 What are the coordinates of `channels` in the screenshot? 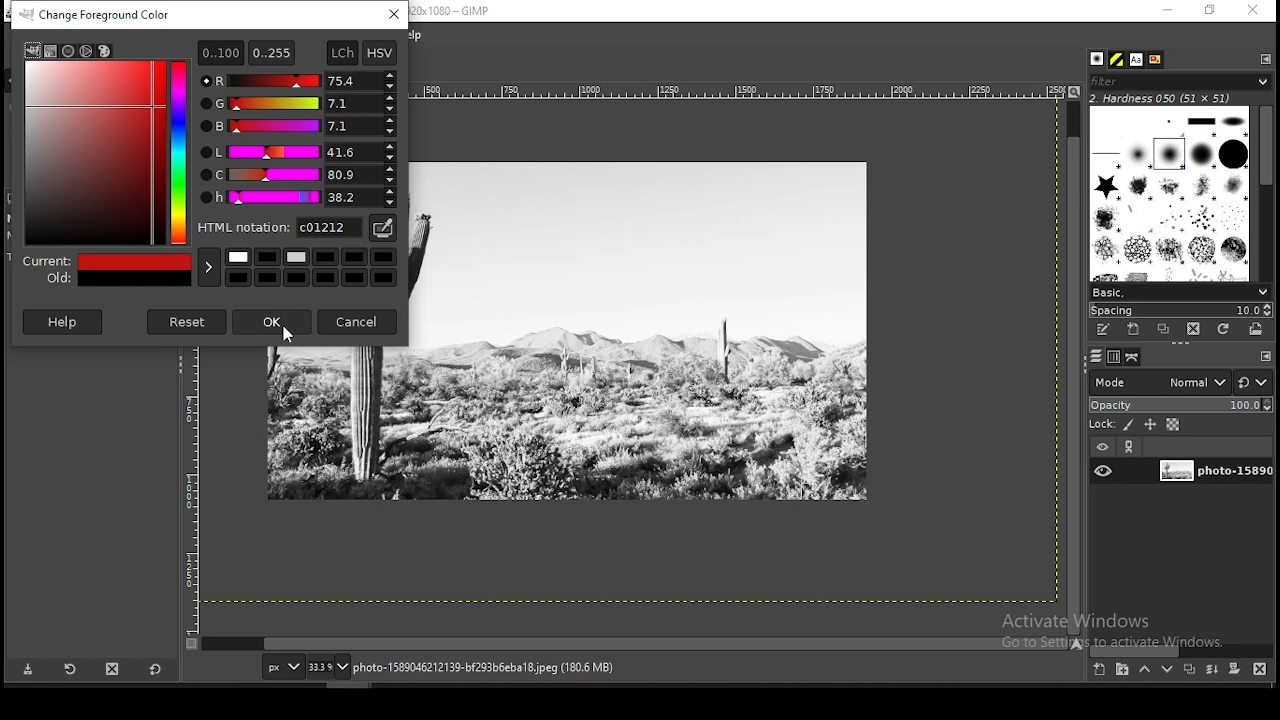 It's located at (1116, 357).